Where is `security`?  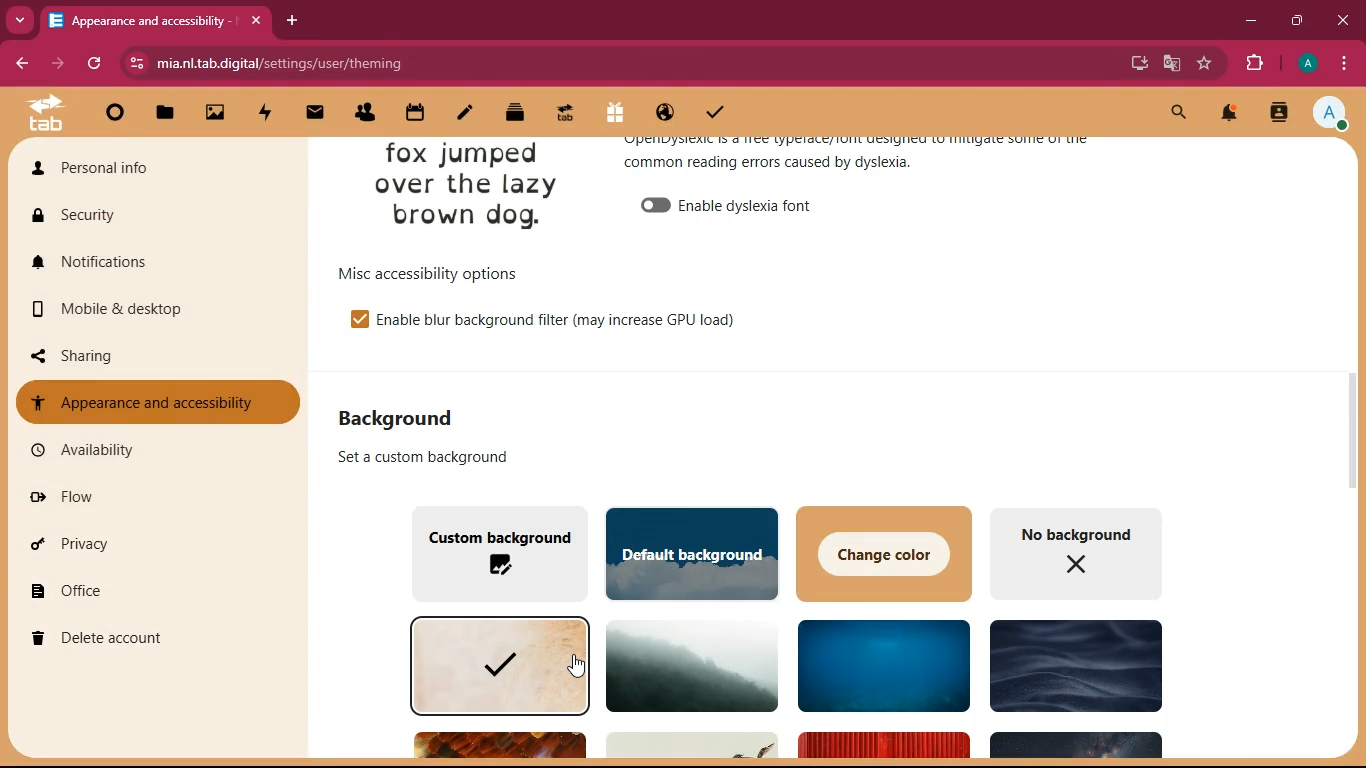 security is located at coordinates (153, 218).